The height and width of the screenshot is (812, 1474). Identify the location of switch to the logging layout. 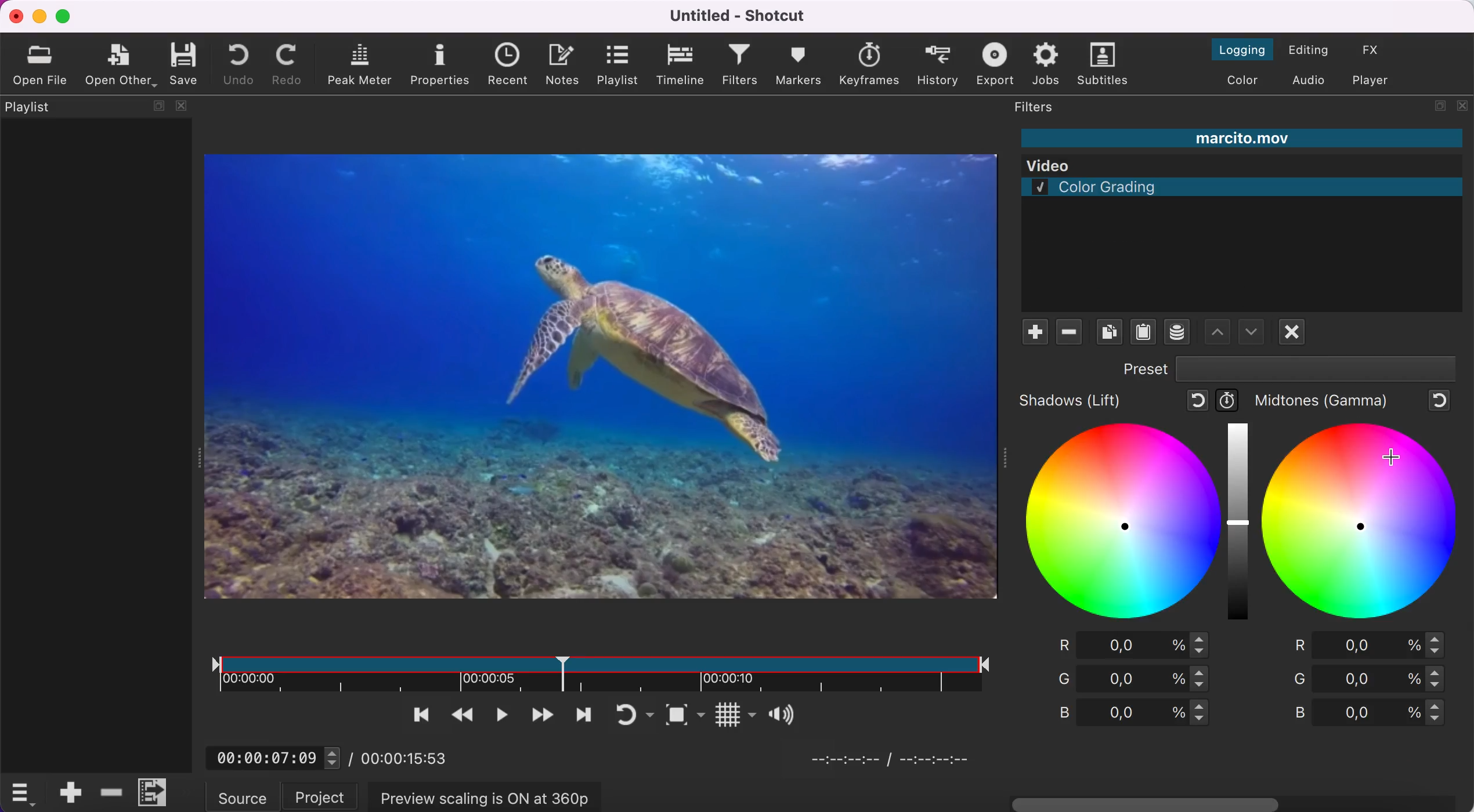
(1231, 49).